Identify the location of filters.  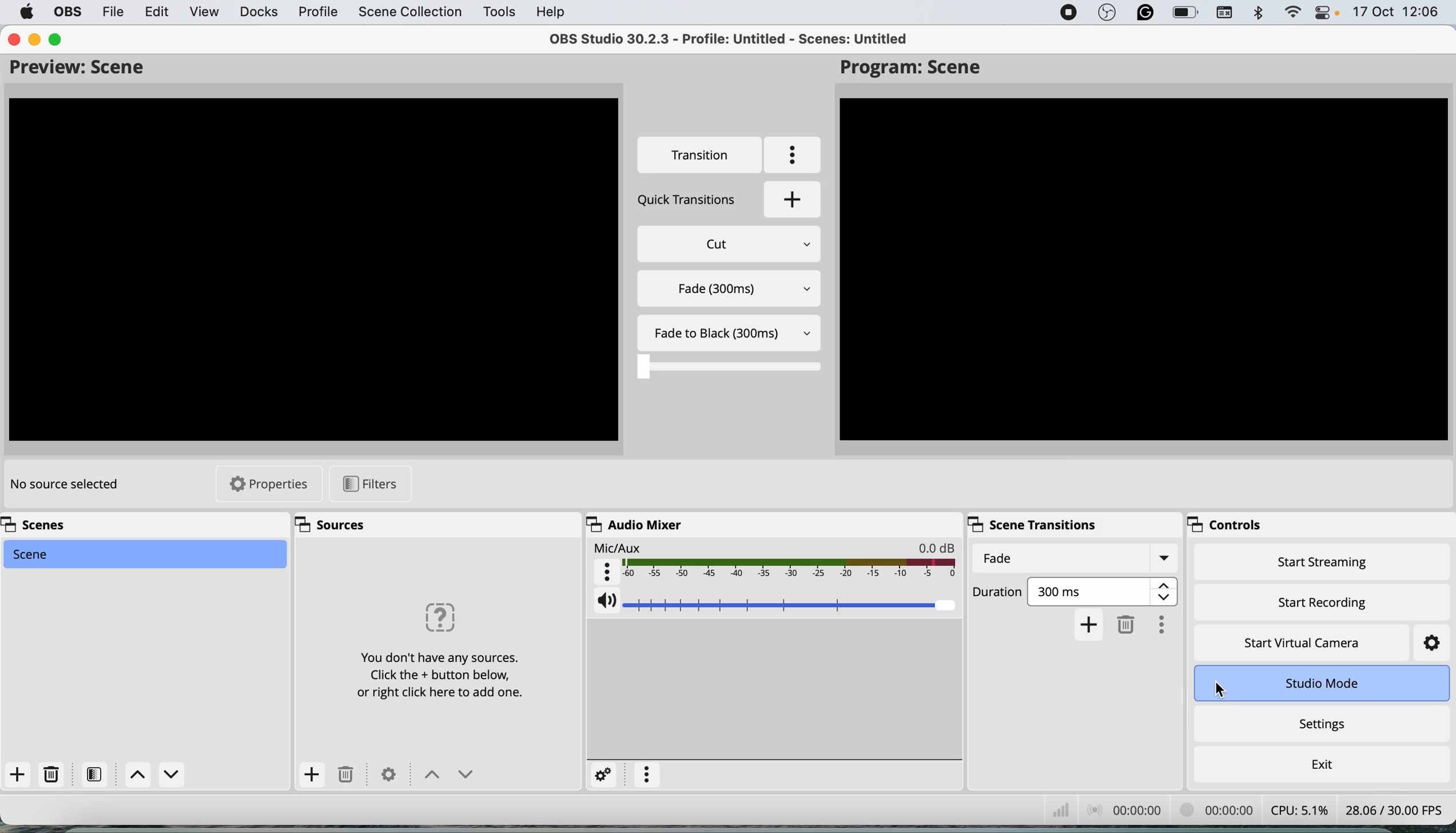
(96, 773).